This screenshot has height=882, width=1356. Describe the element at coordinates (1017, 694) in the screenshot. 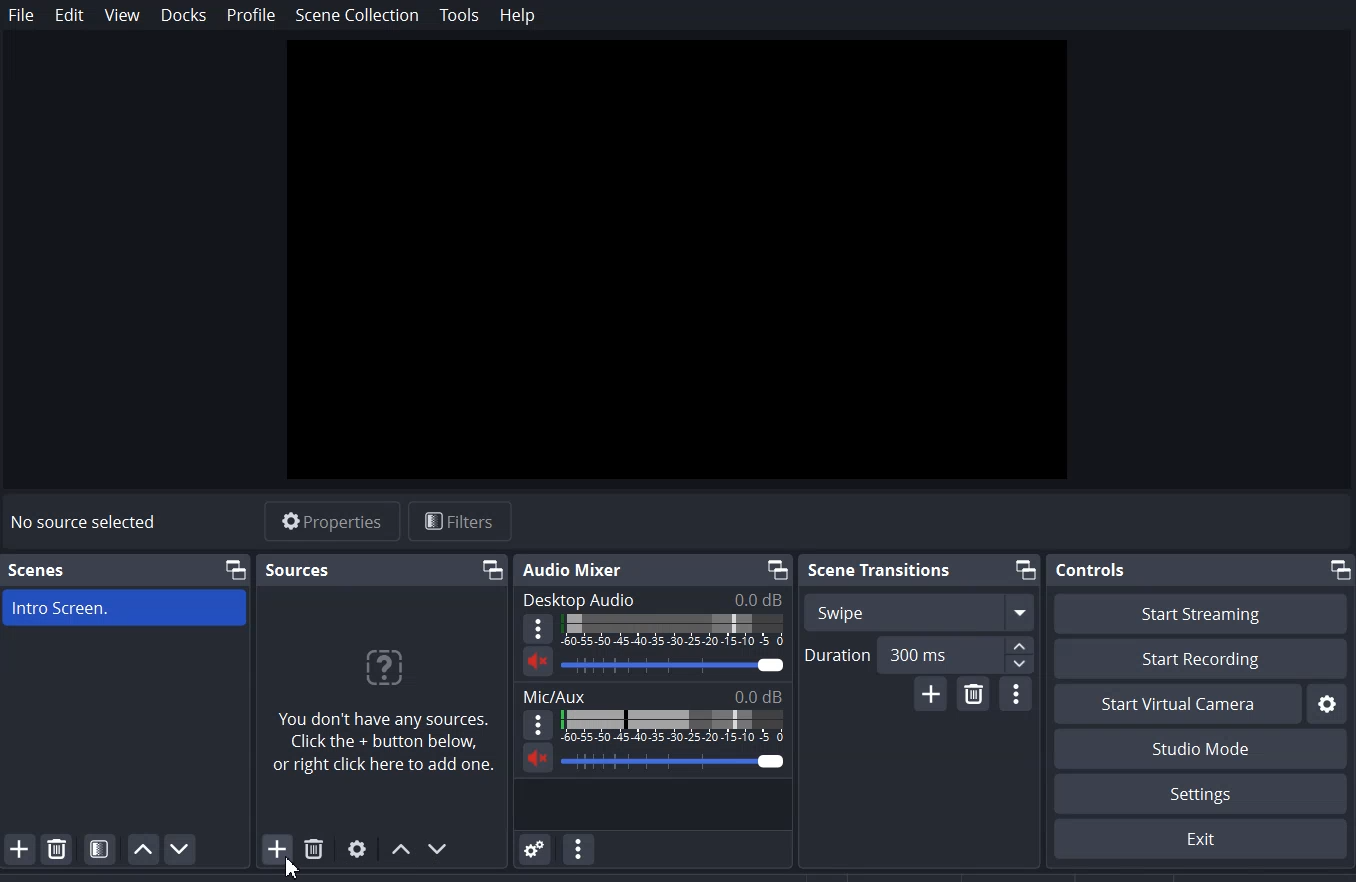

I see `Transition Properties` at that location.